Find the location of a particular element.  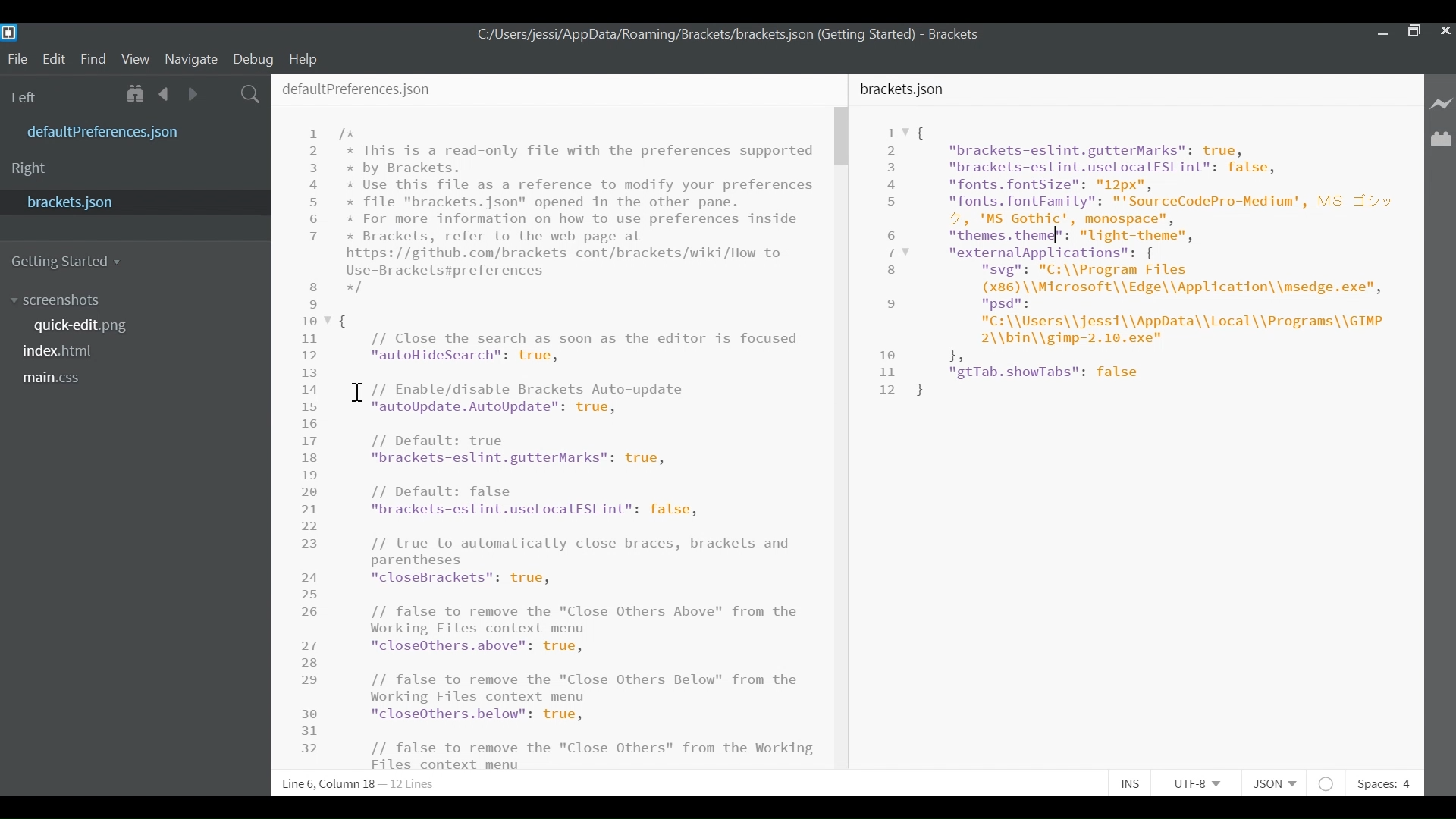

index.html is located at coordinates (63, 350).